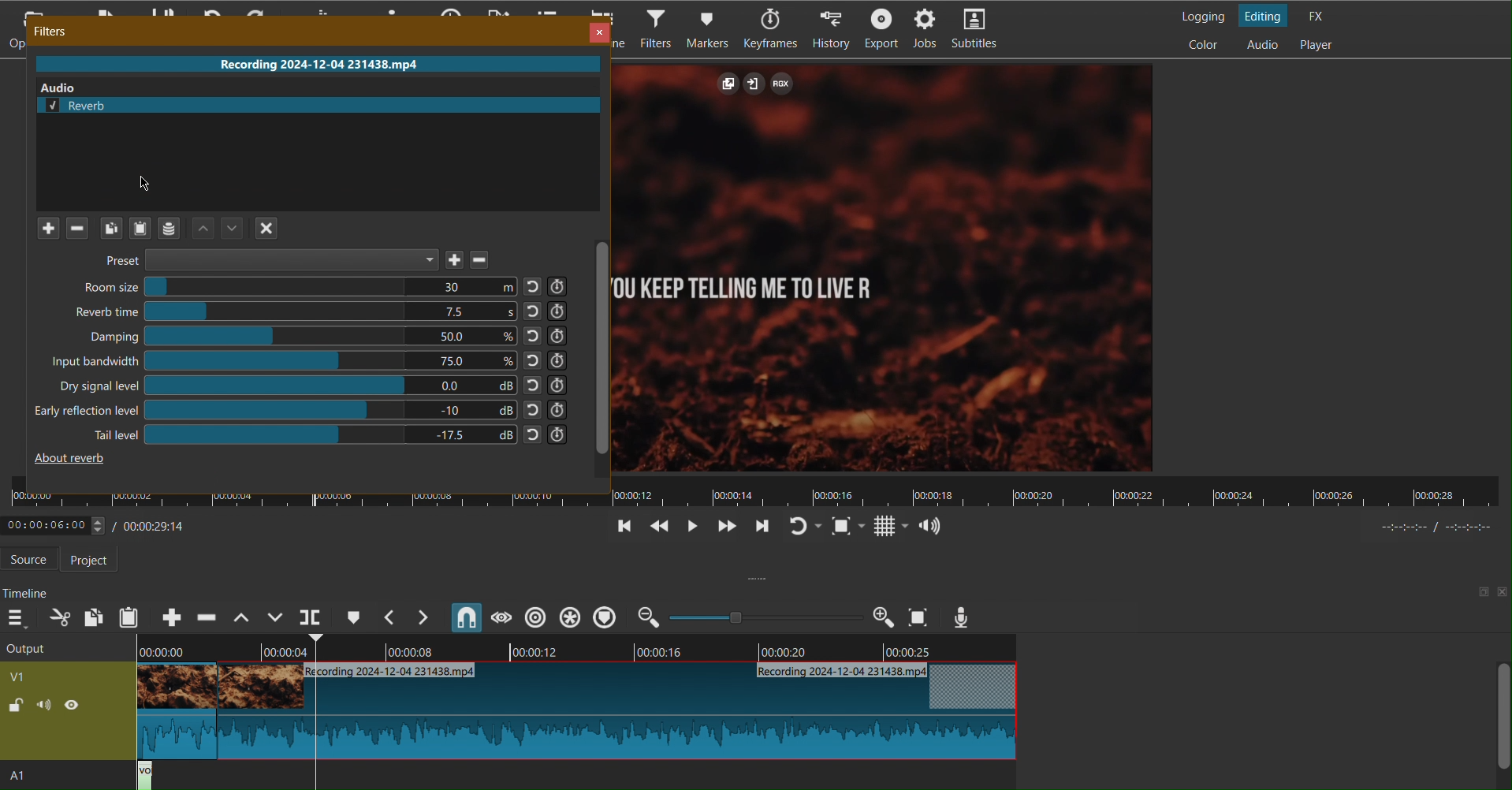 This screenshot has height=790, width=1512. What do you see at coordinates (725, 528) in the screenshot?
I see `Move Forwards` at bounding box center [725, 528].